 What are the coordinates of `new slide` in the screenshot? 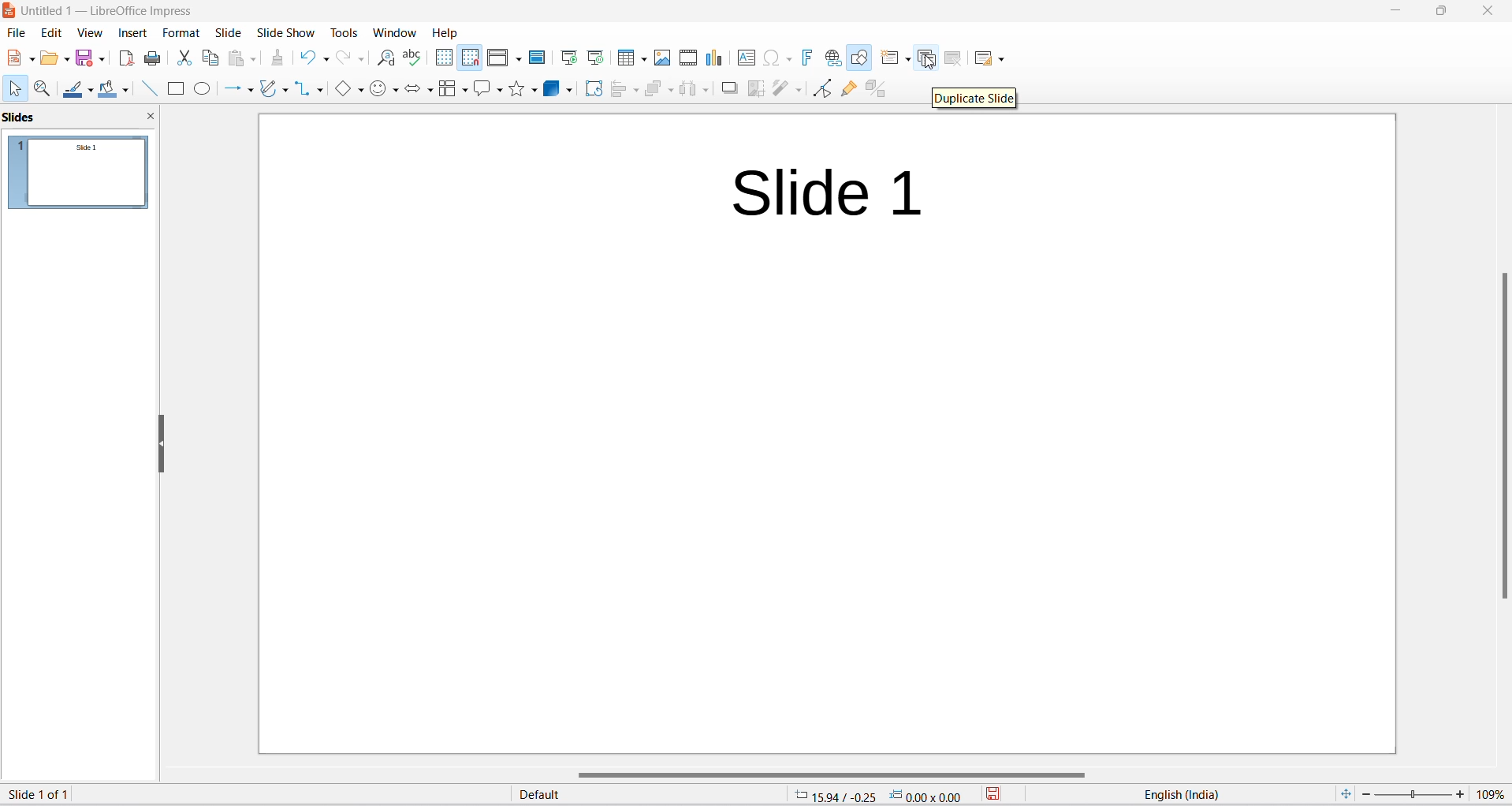 It's located at (892, 57).